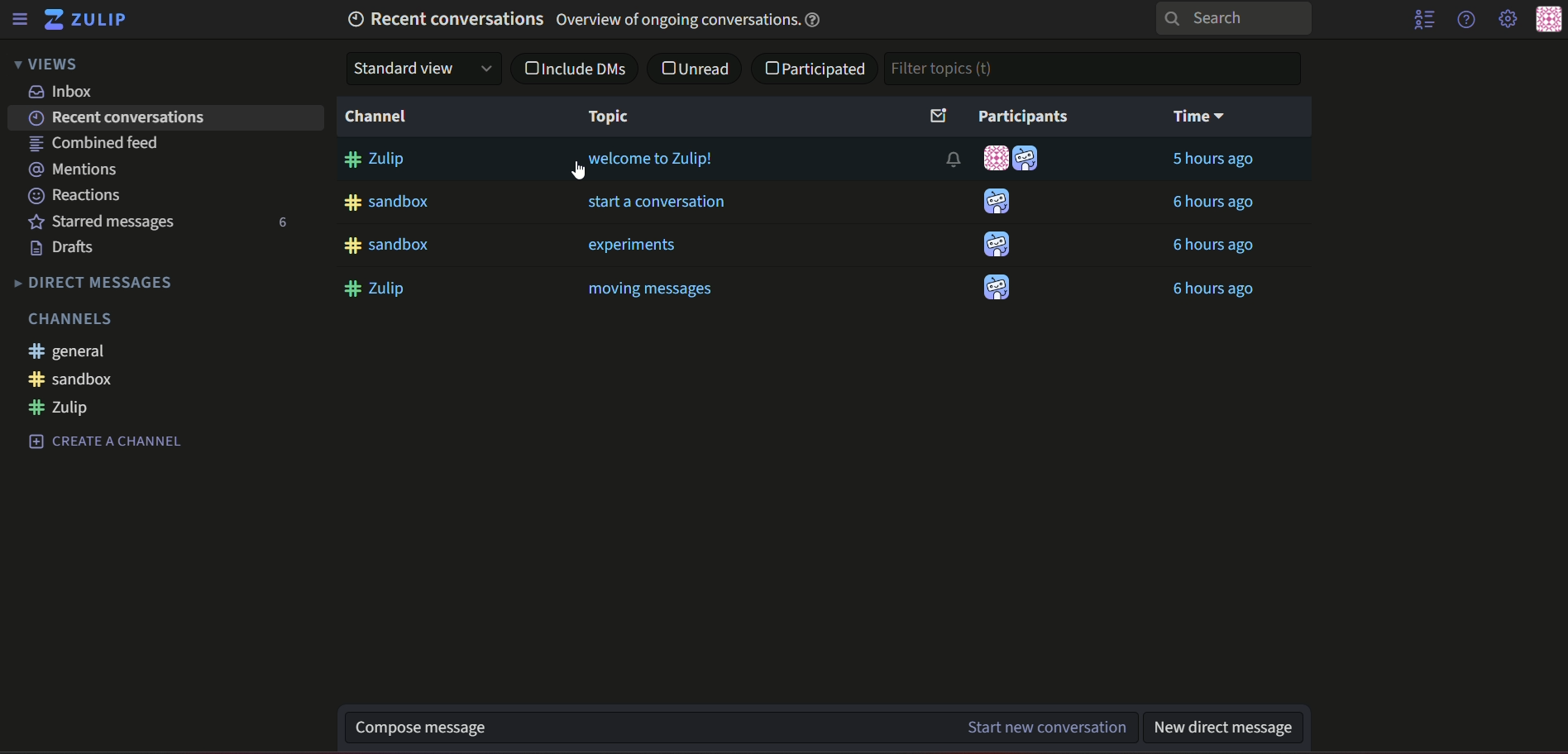 The height and width of the screenshot is (754, 1568). I want to click on icon, so click(999, 203).